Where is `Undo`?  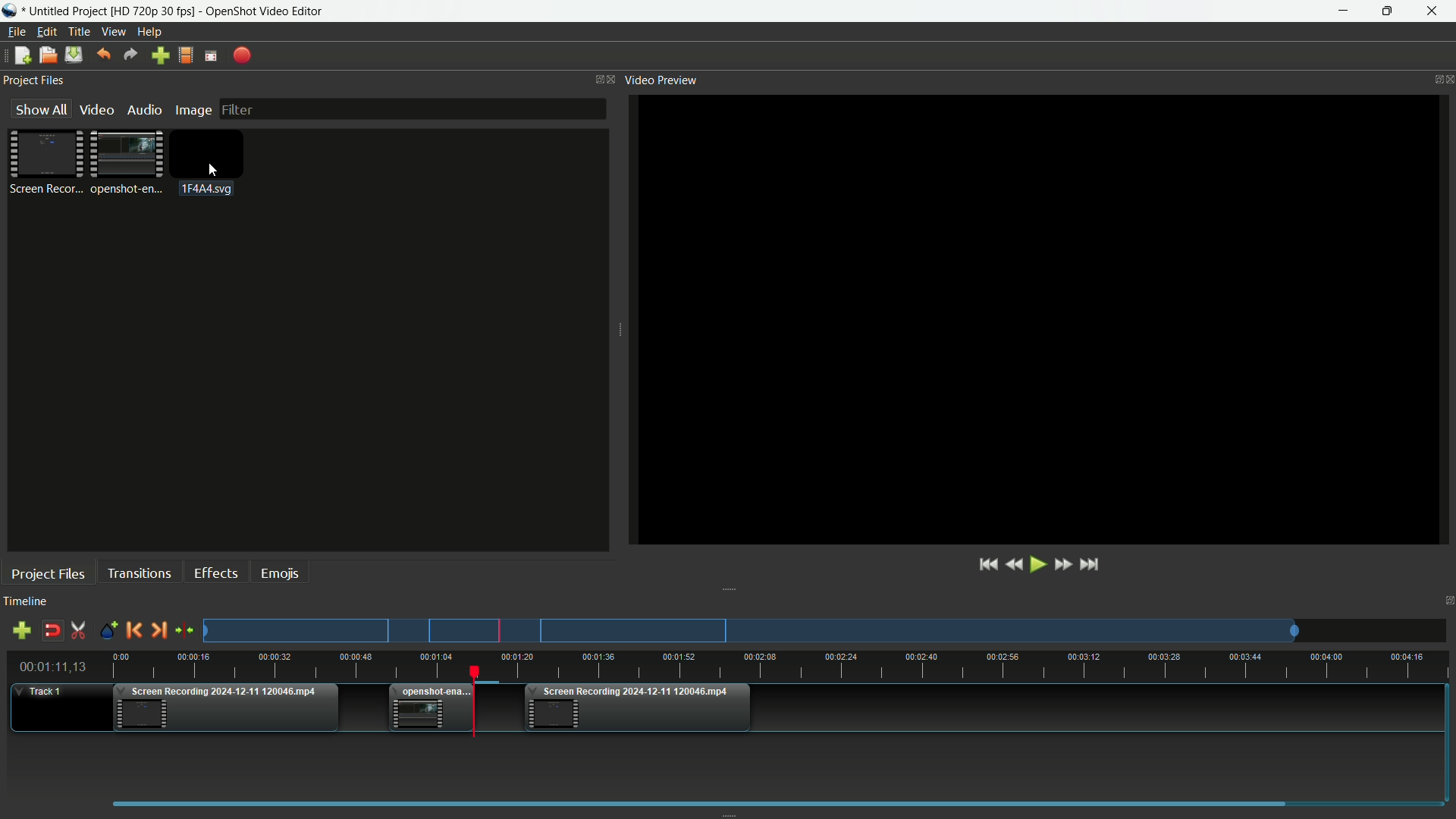
Undo is located at coordinates (101, 55).